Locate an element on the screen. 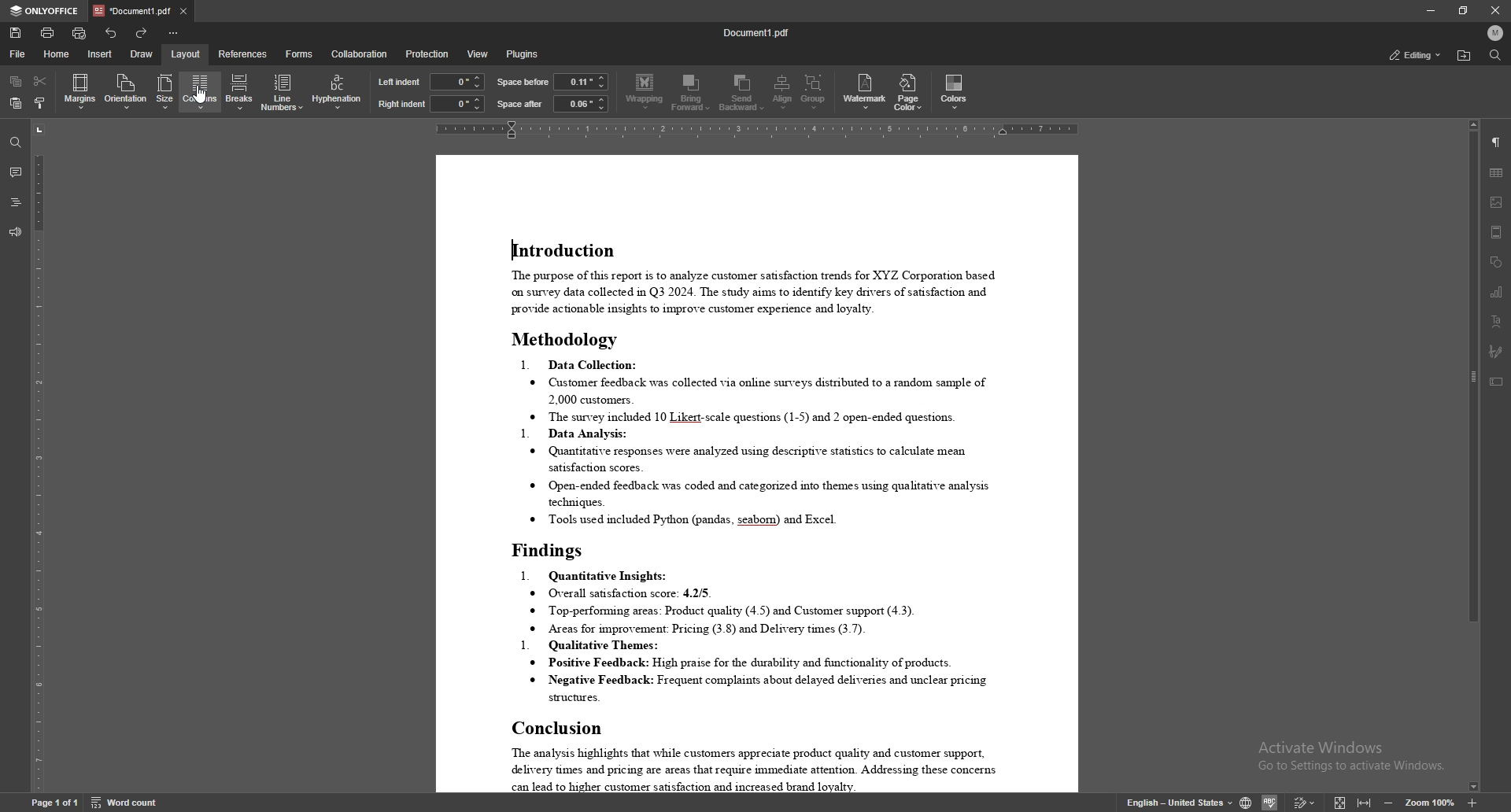  cursor is located at coordinates (205, 101).